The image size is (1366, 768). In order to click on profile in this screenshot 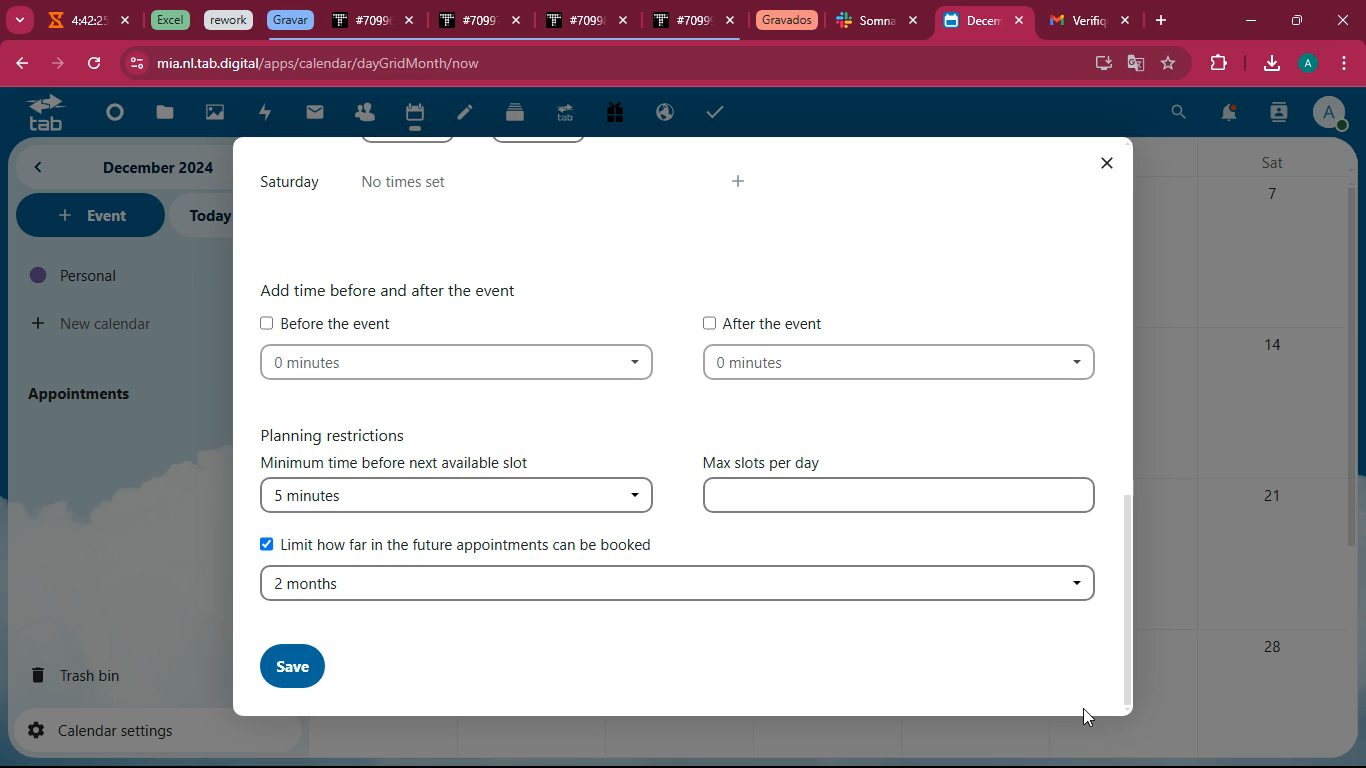, I will do `click(1329, 112)`.